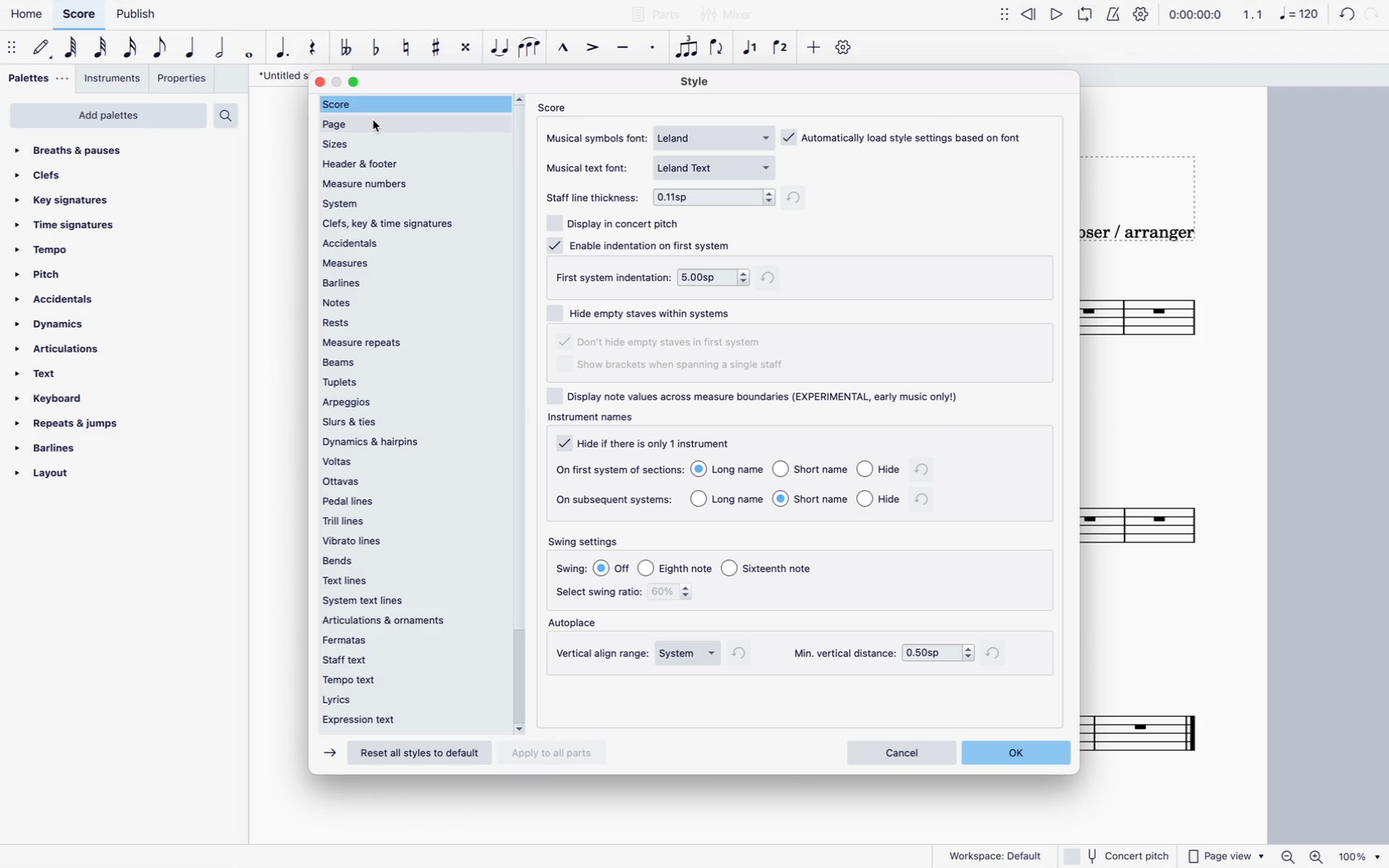  What do you see at coordinates (674, 368) in the screenshot?
I see `show` at bounding box center [674, 368].